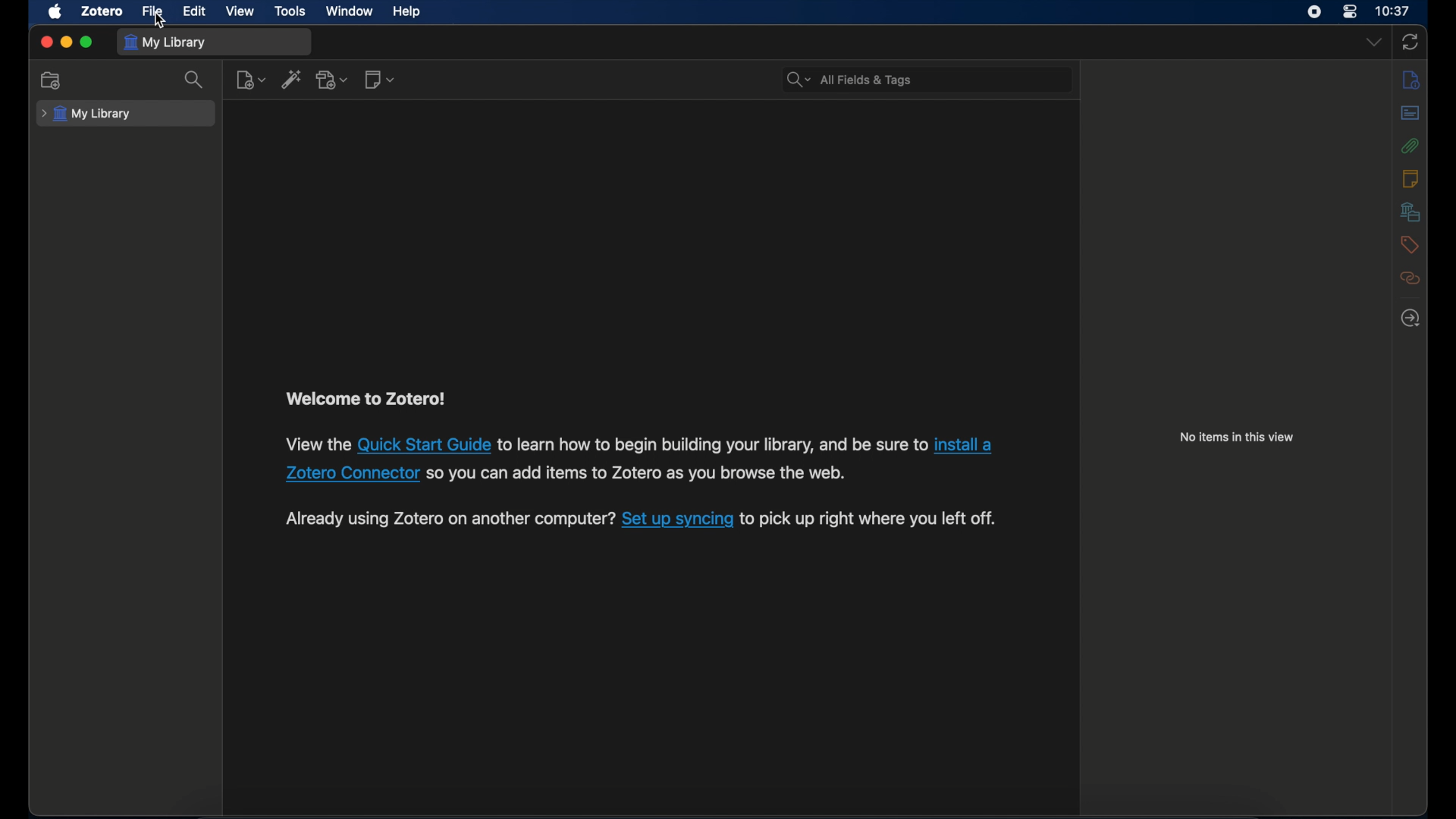  I want to click on my library, so click(86, 114).